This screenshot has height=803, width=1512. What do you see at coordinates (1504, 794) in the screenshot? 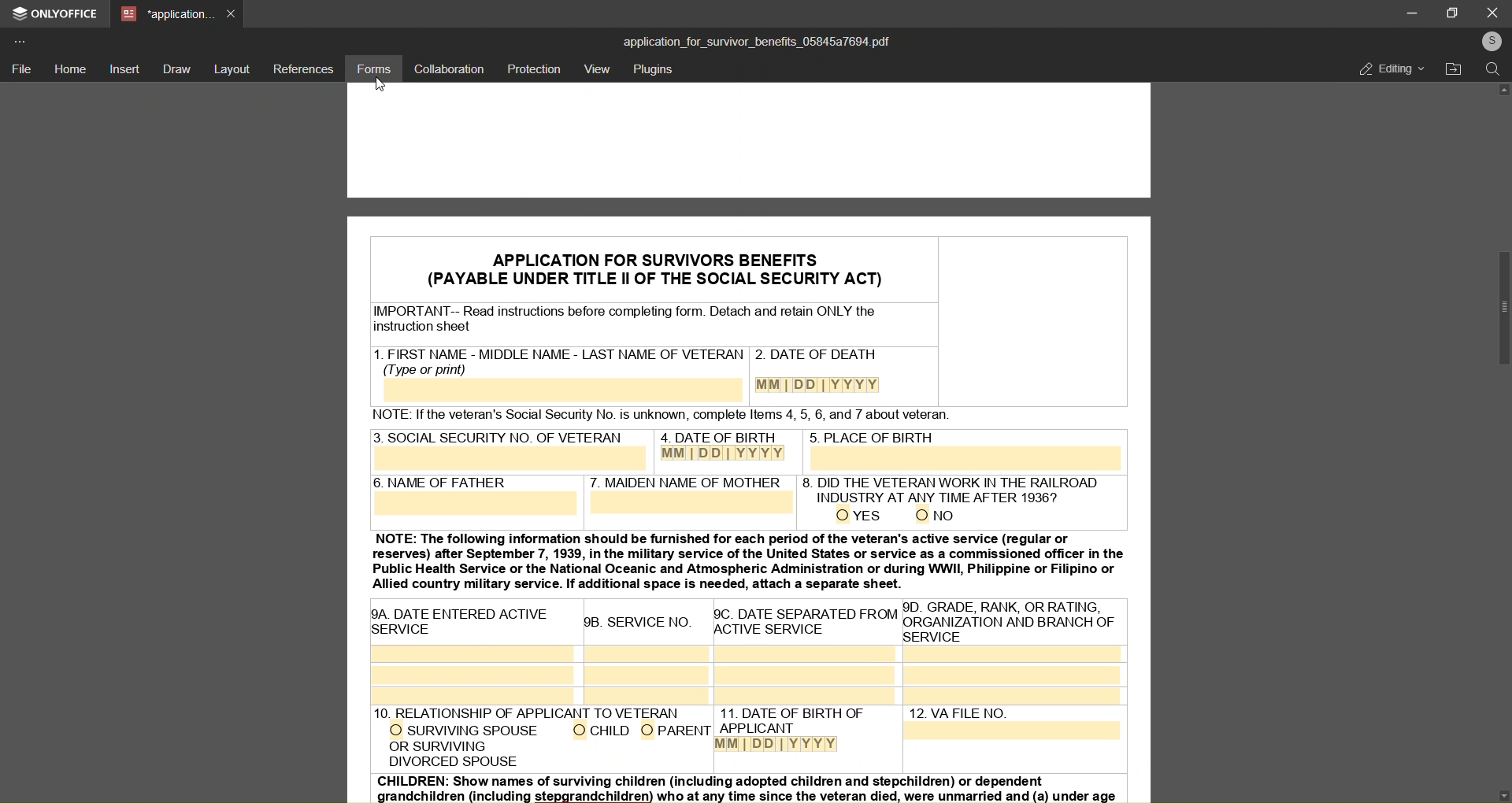
I see `down` at bounding box center [1504, 794].